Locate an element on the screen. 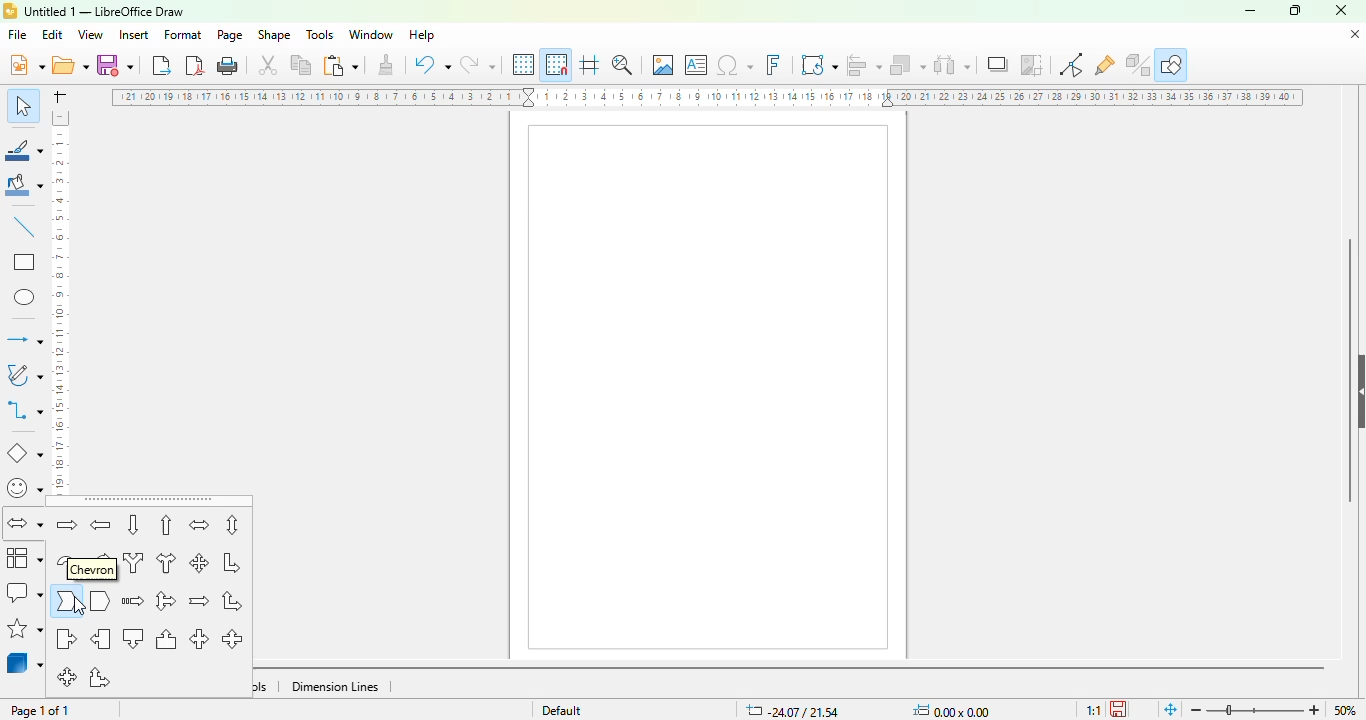 This screenshot has width=1366, height=720. format is located at coordinates (184, 34).